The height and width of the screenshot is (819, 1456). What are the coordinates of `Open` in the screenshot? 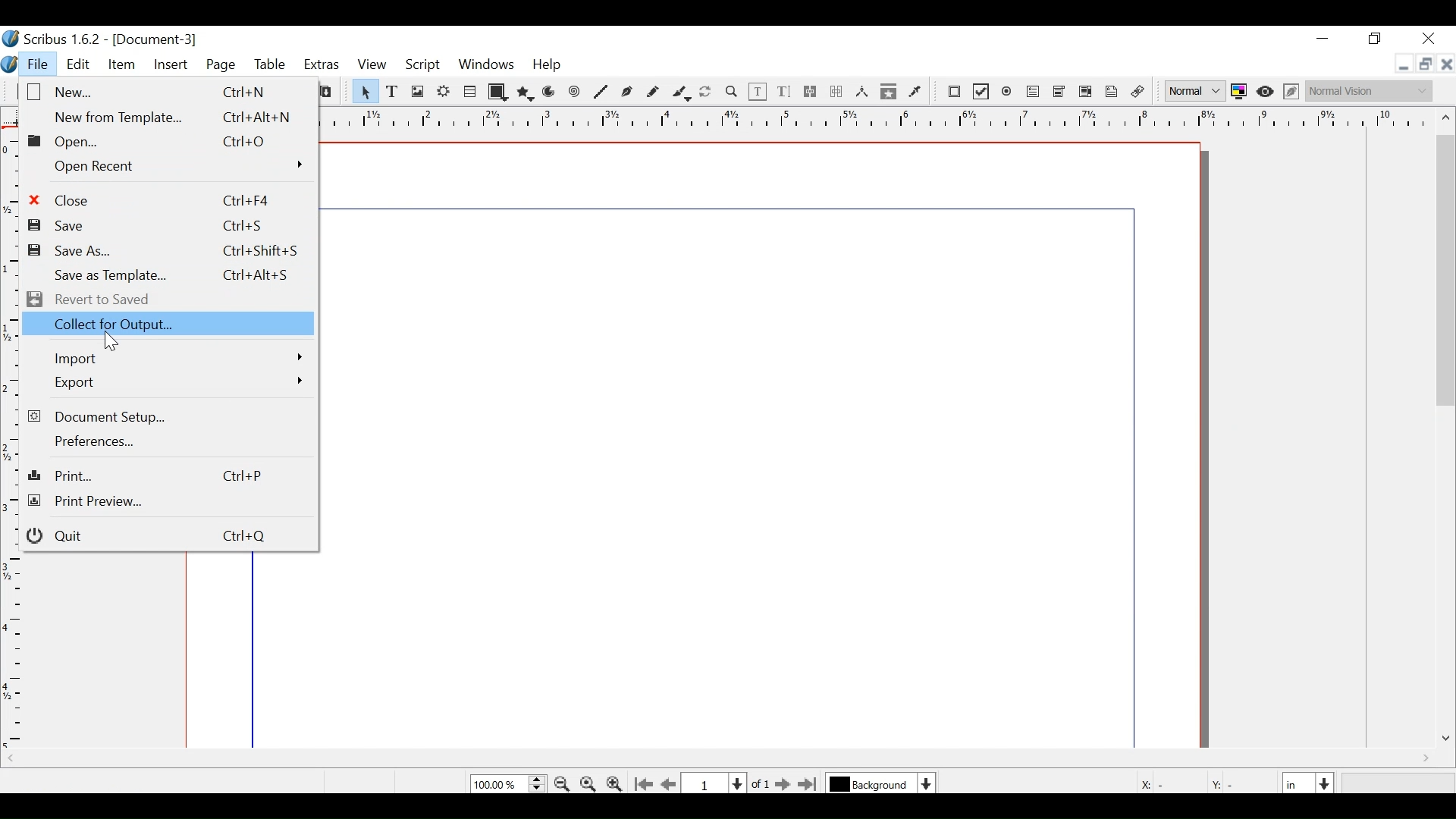 It's located at (148, 142).